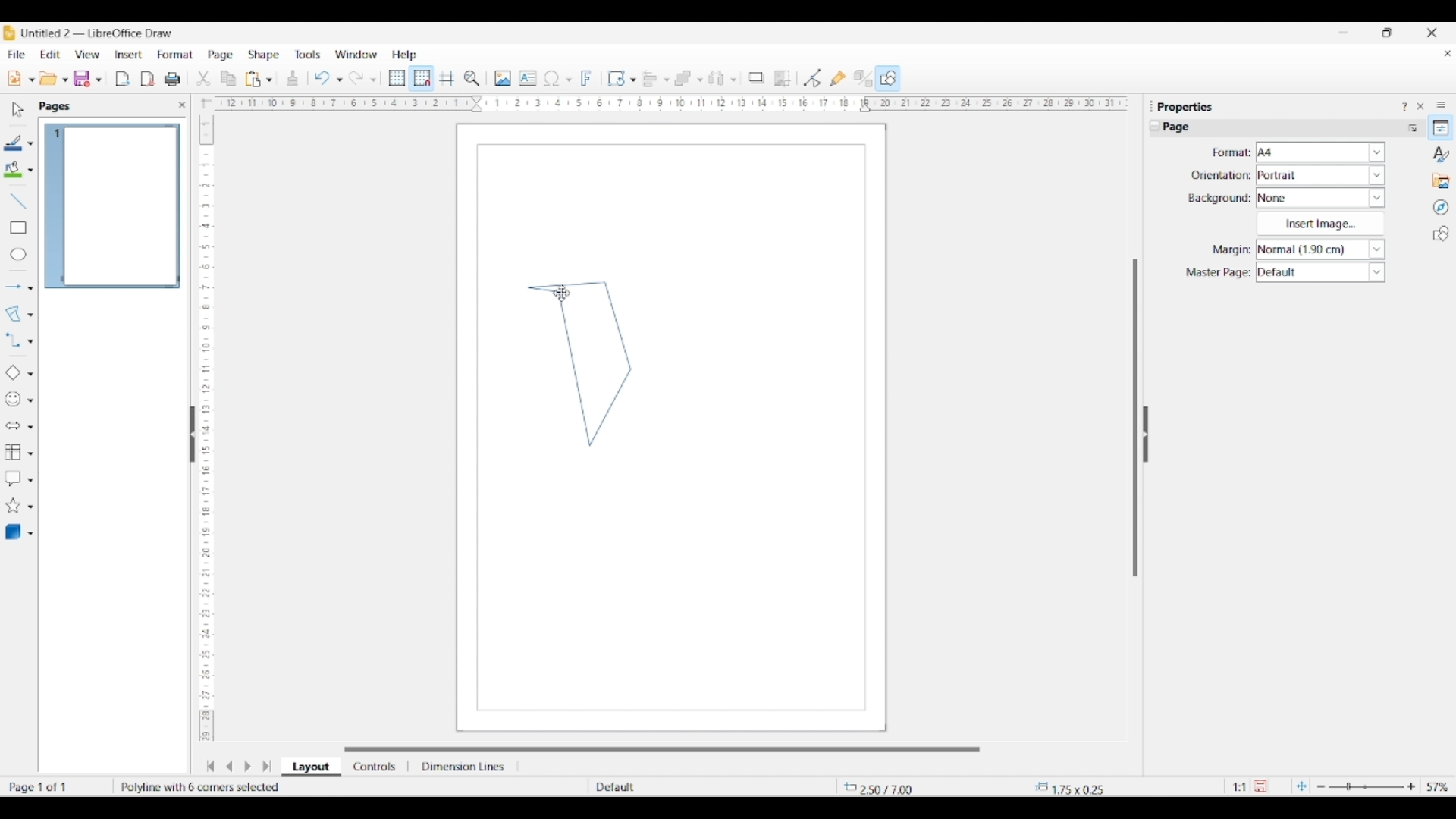  What do you see at coordinates (863, 79) in the screenshot?
I see `Toggle extrusion` at bounding box center [863, 79].